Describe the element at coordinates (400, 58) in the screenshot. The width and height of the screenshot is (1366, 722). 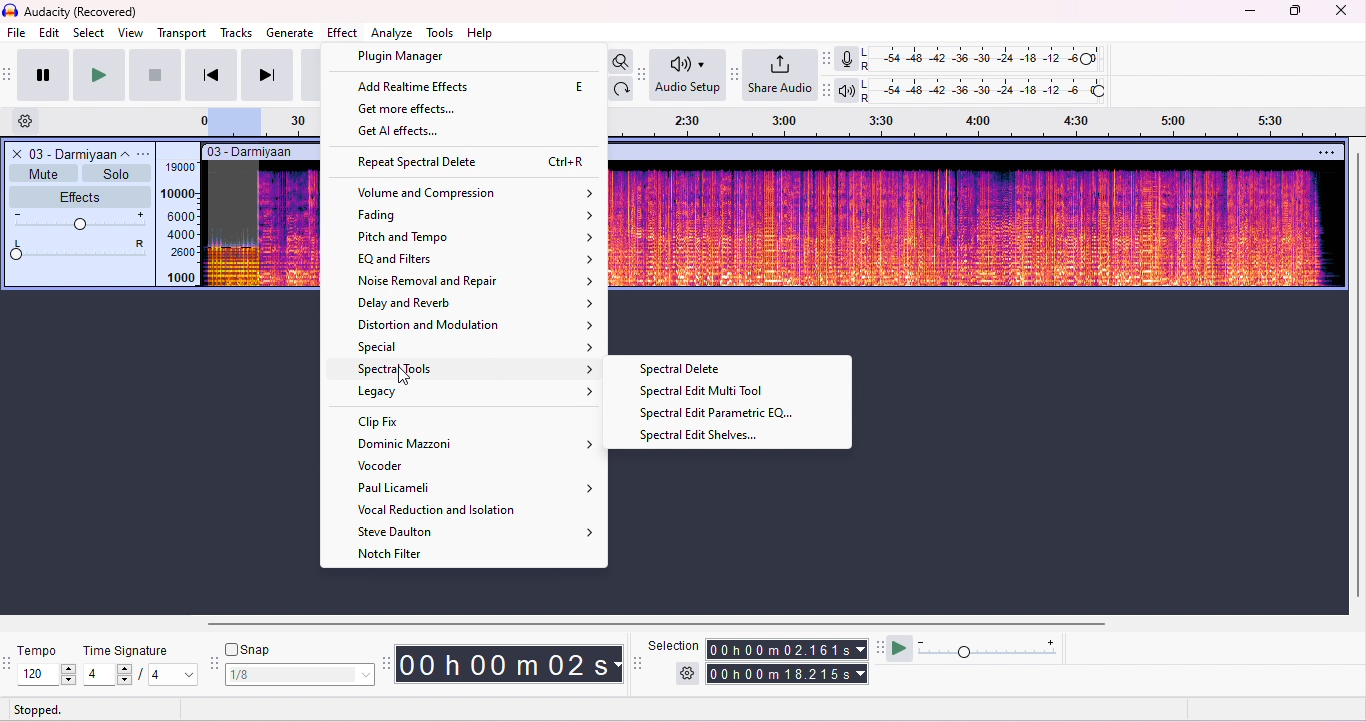
I see `plugin manager` at that location.